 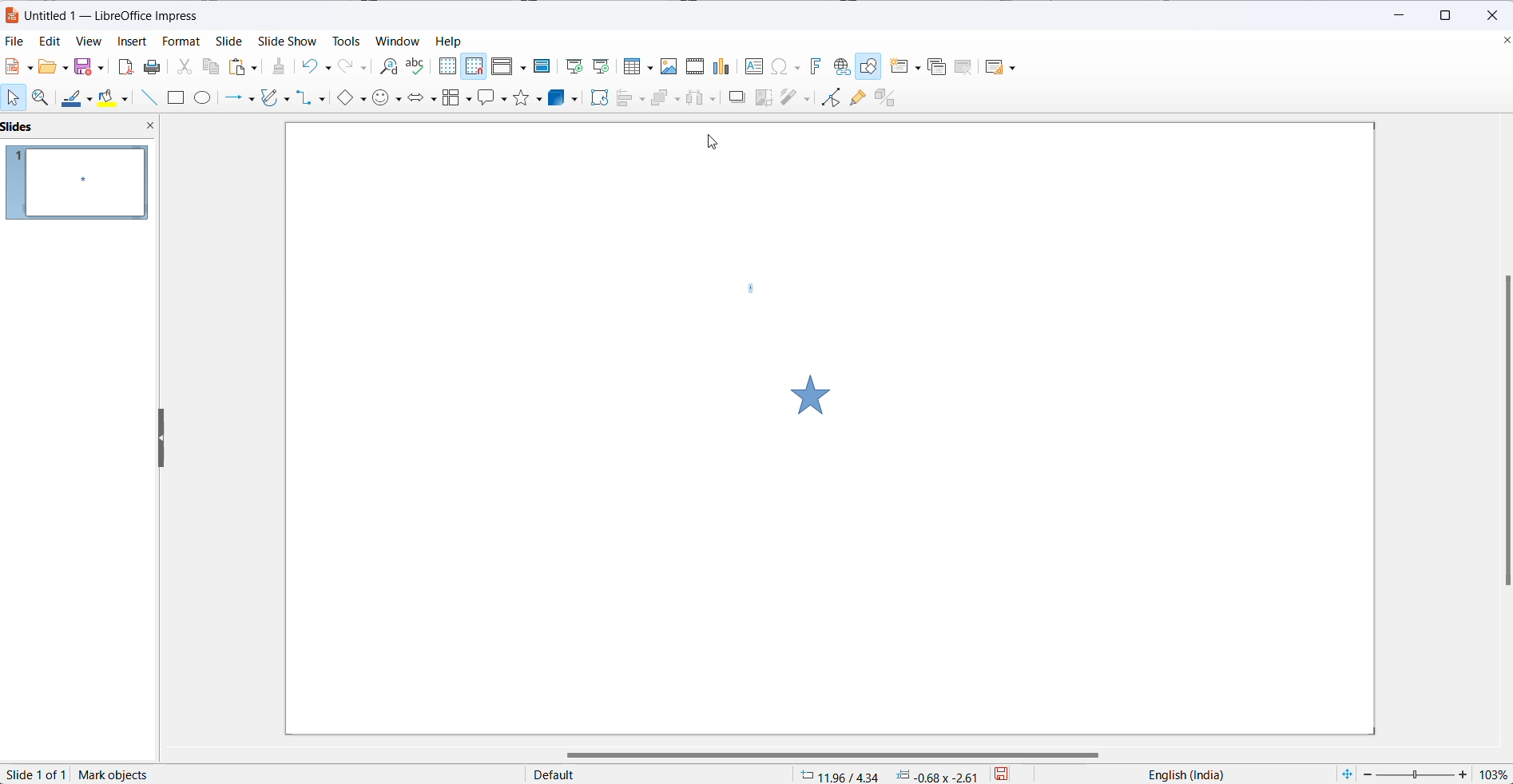 What do you see at coordinates (718, 147) in the screenshot?
I see `cursor` at bounding box center [718, 147].